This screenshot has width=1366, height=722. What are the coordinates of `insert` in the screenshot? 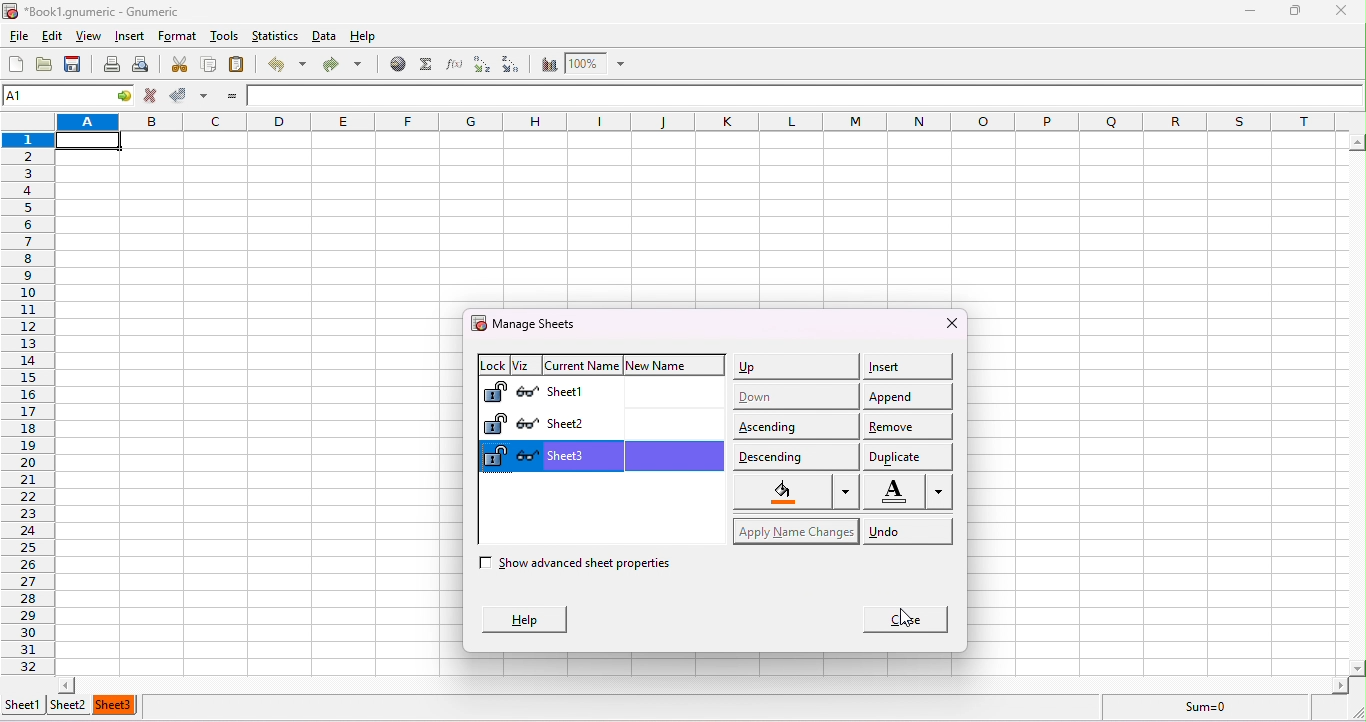 It's located at (907, 366).